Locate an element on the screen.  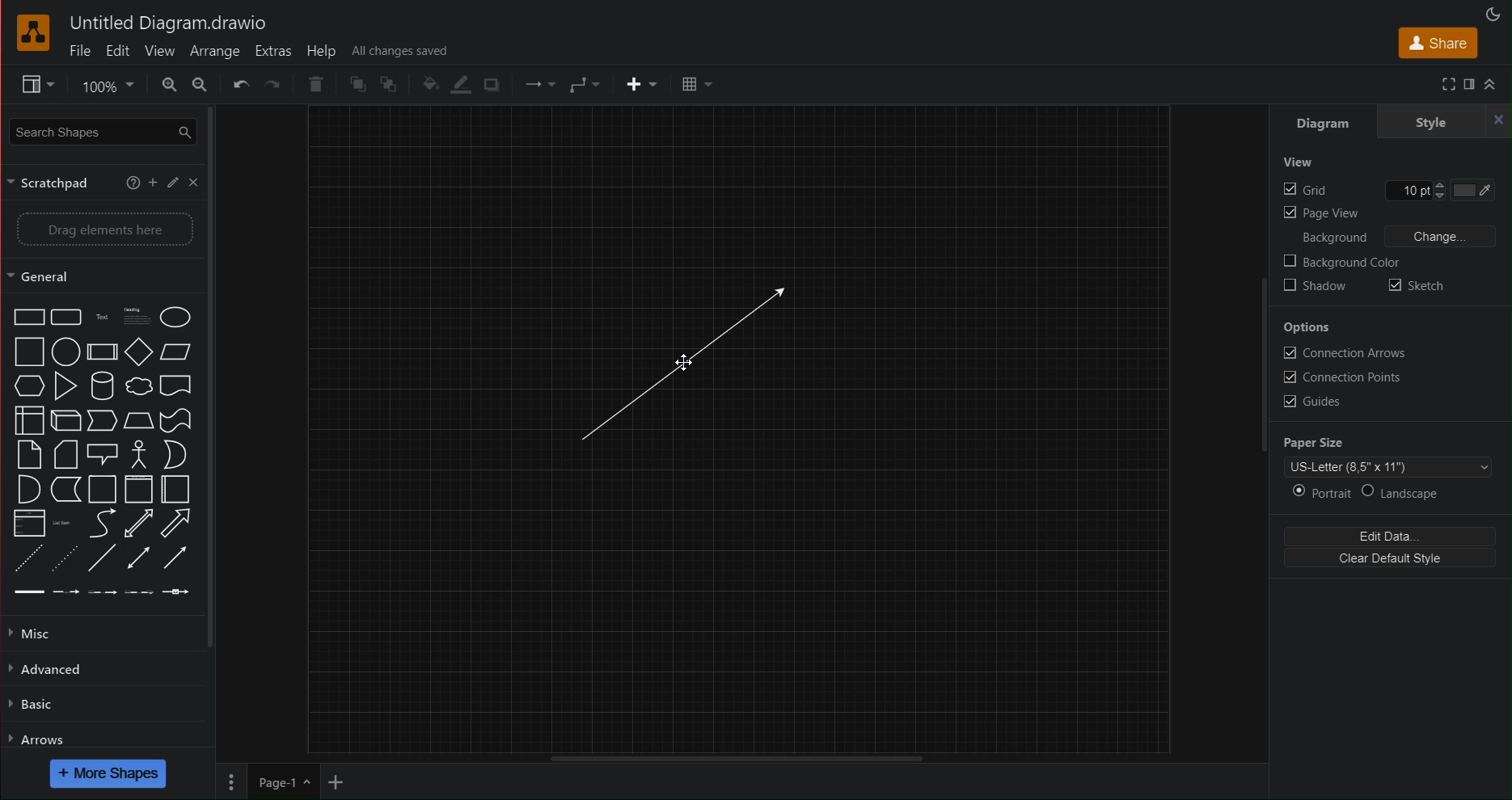
Zoom is located at coordinates (104, 85).